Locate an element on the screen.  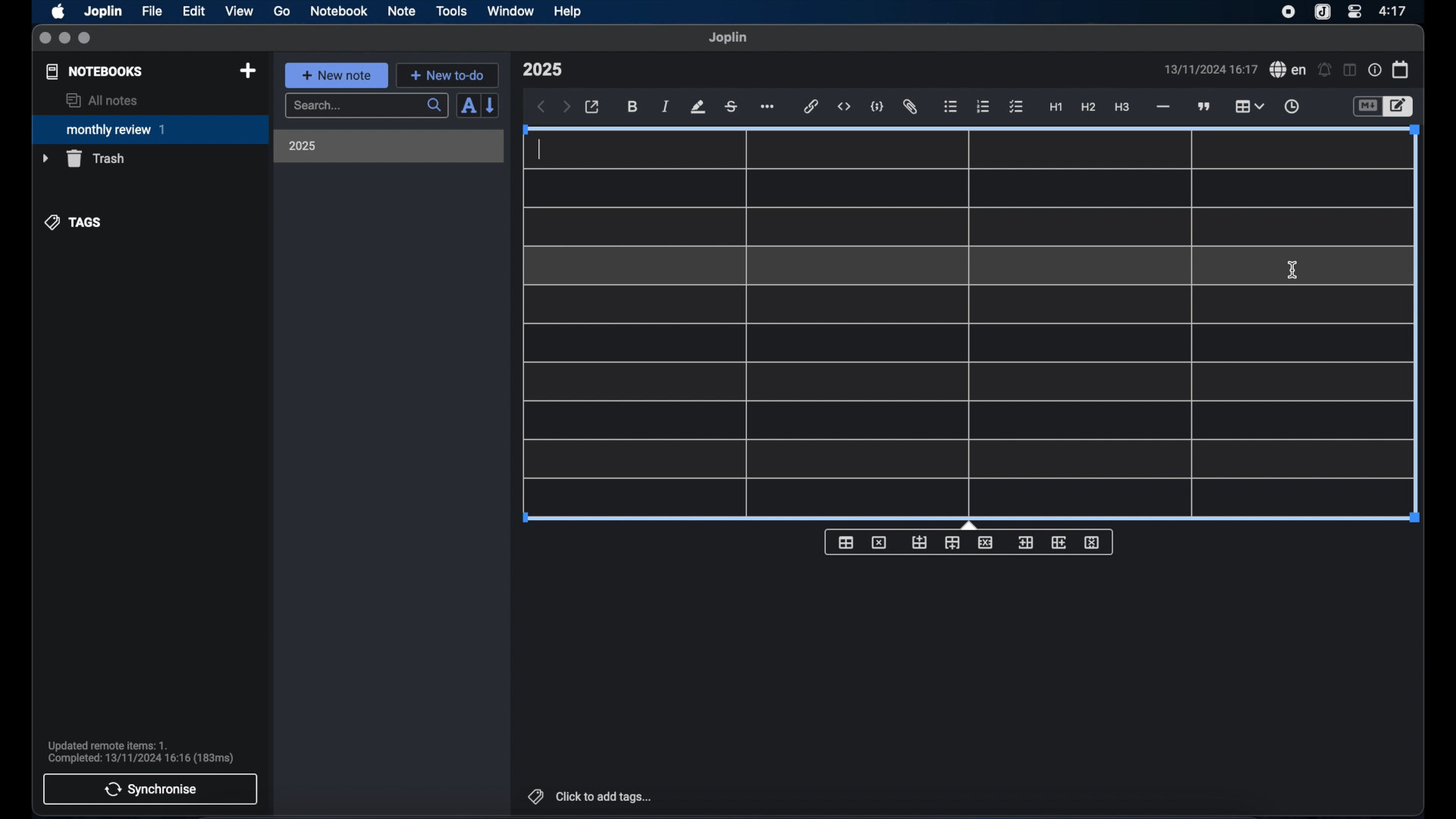
bulleted list is located at coordinates (950, 107).